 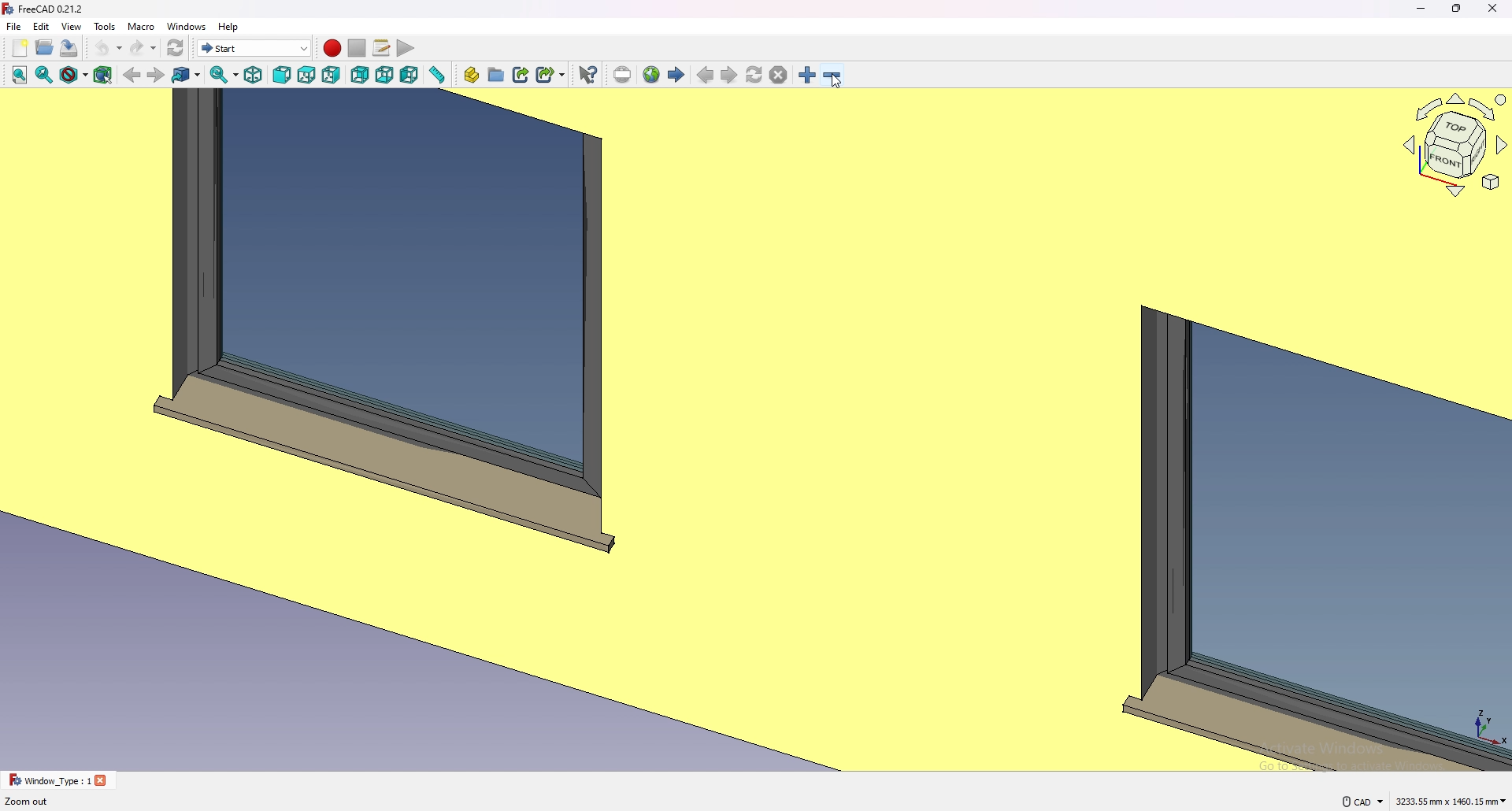 What do you see at coordinates (283, 76) in the screenshot?
I see `front` at bounding box center [283, 76].